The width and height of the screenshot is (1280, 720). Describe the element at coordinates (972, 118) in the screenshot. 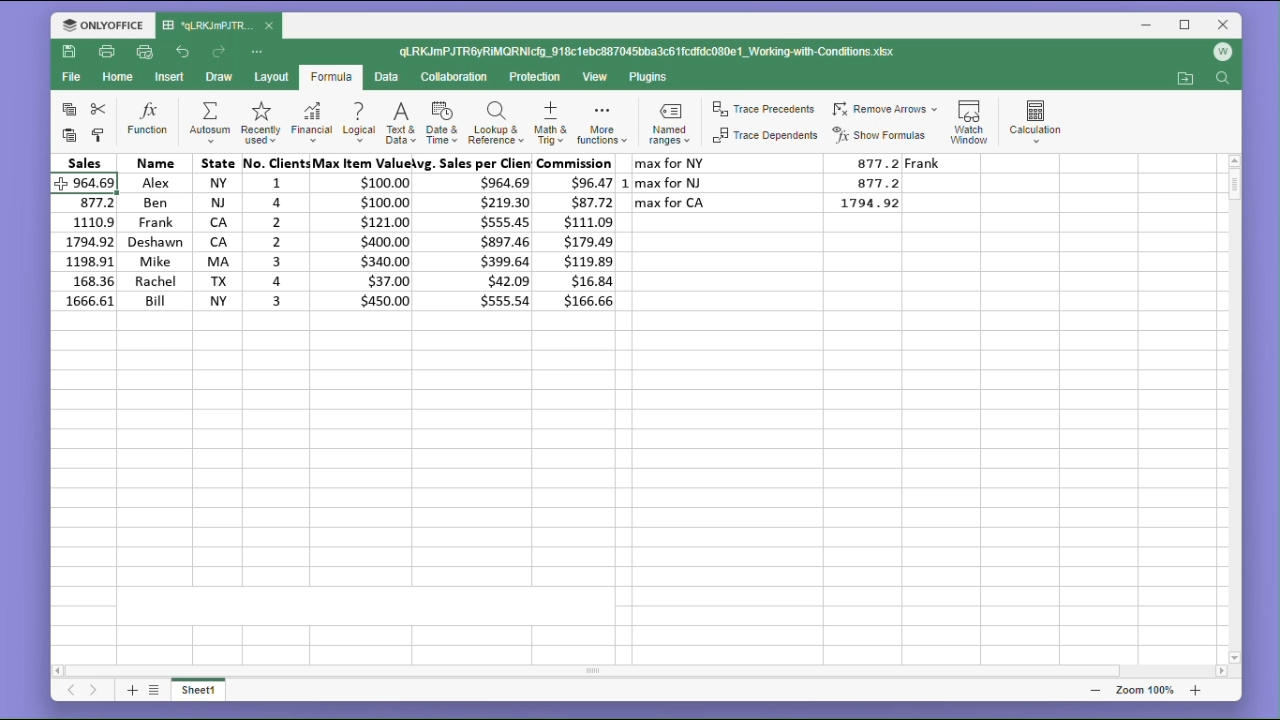

I see `watch window` at that location.